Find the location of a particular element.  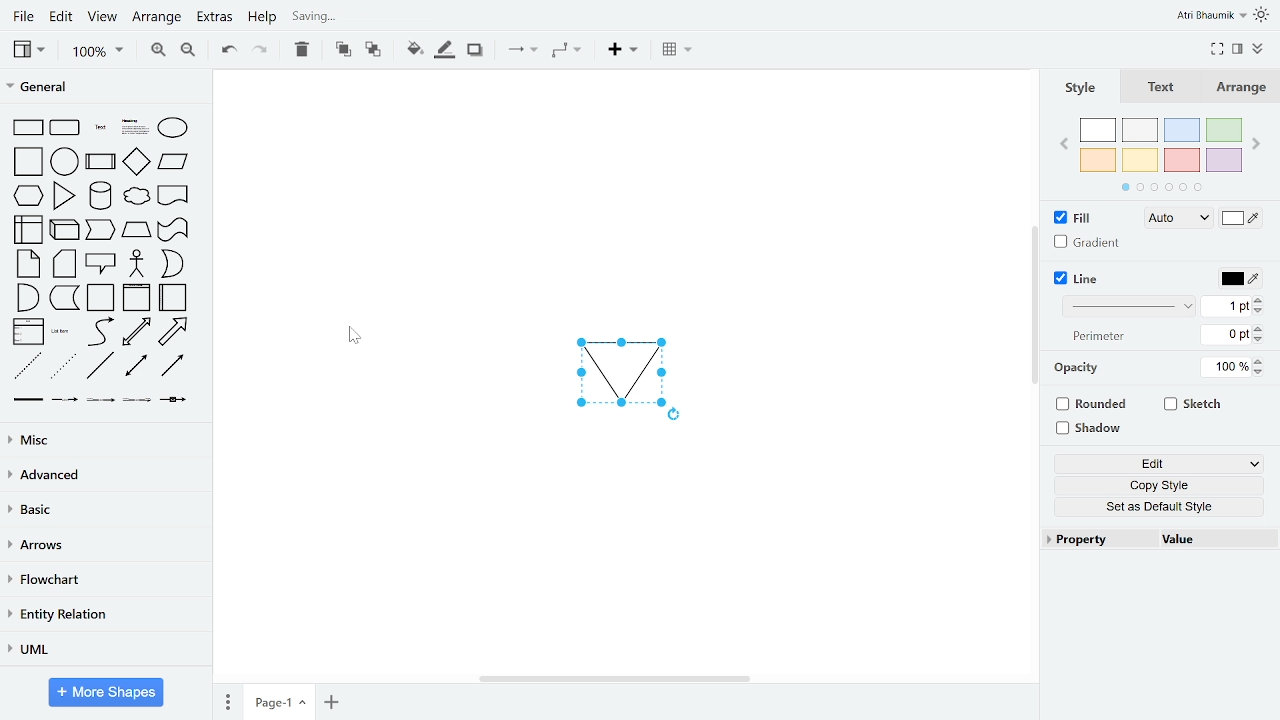

curve is located at coordinates (98, 332).